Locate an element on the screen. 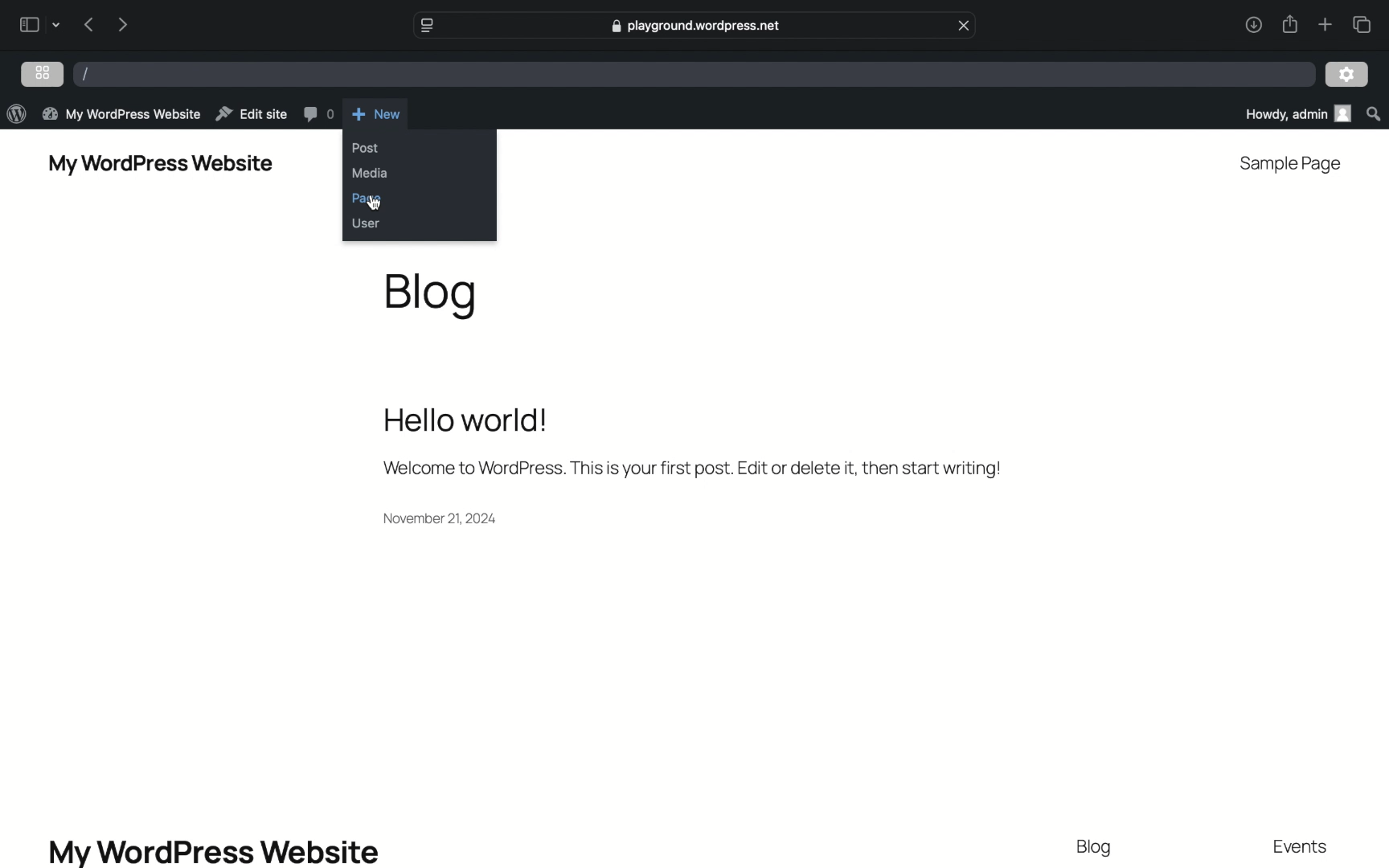 This screenshot has width=1389, height=868. edit site is located at coordinates (251, 113).